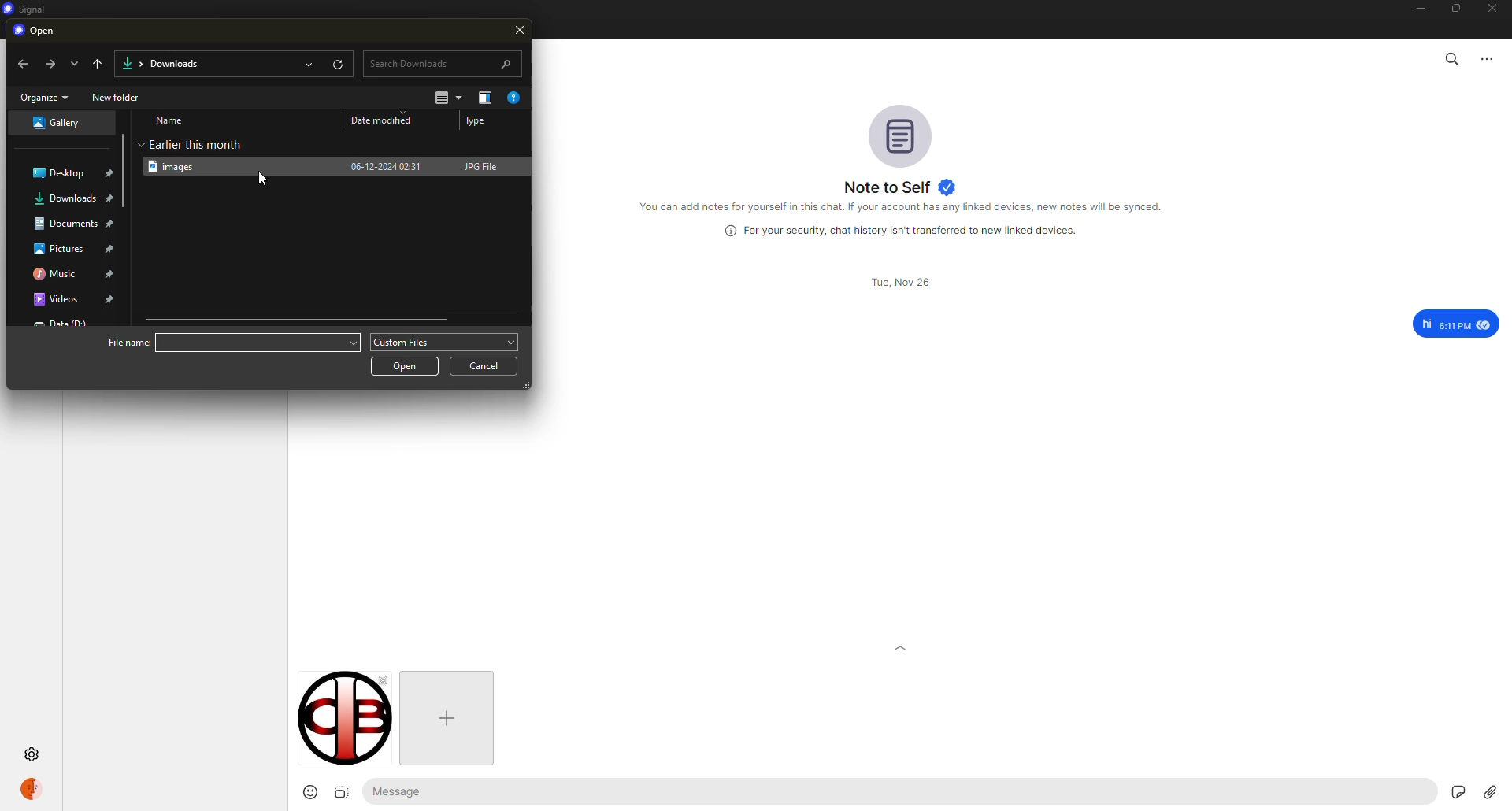 The width and height of the screenshot is (1512, 811). Describe the element at coordinates (40, 31) in the screenshot. I see `open` at that location.